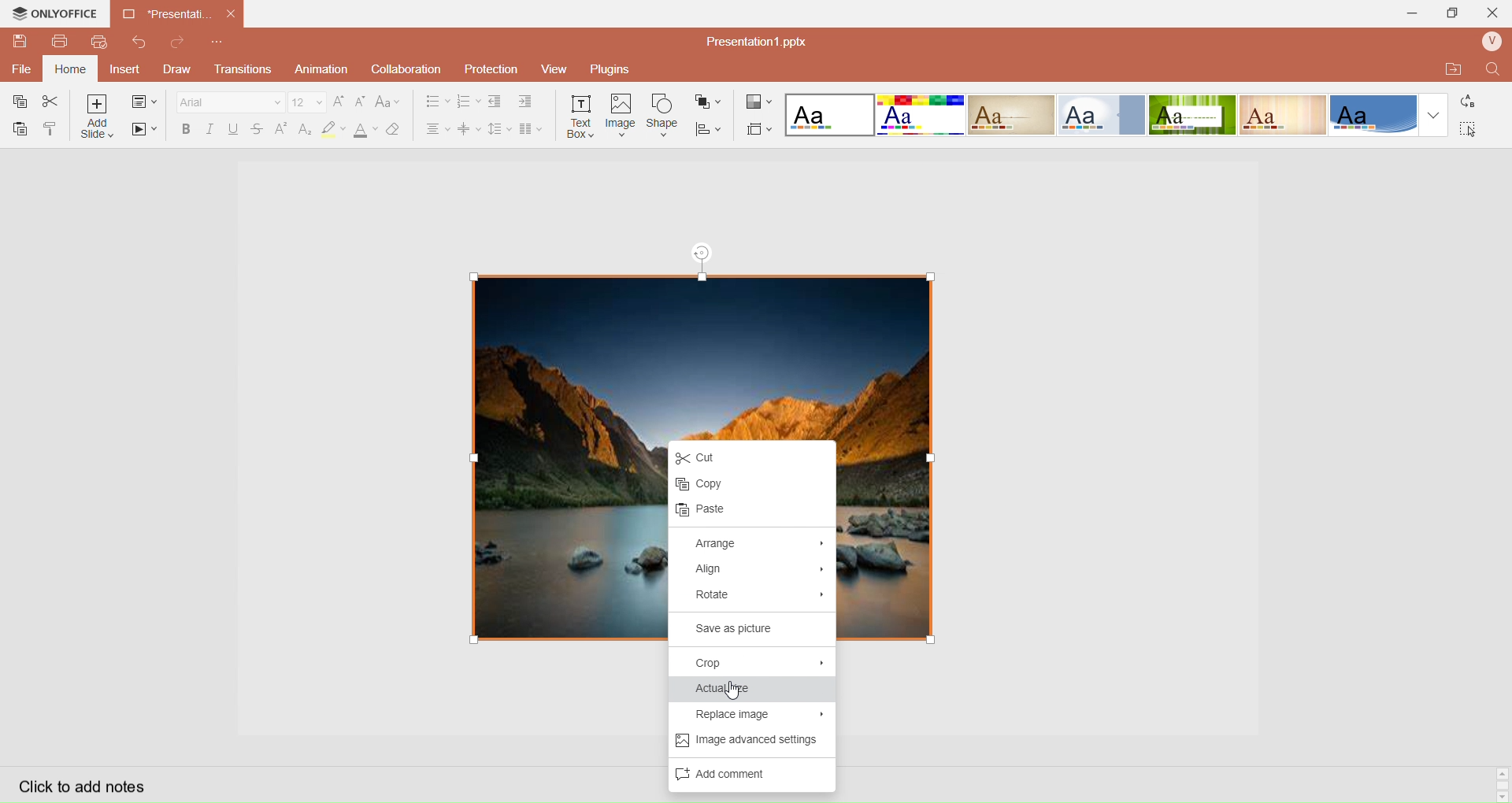  I want to click on Close, so click(1495, 13).